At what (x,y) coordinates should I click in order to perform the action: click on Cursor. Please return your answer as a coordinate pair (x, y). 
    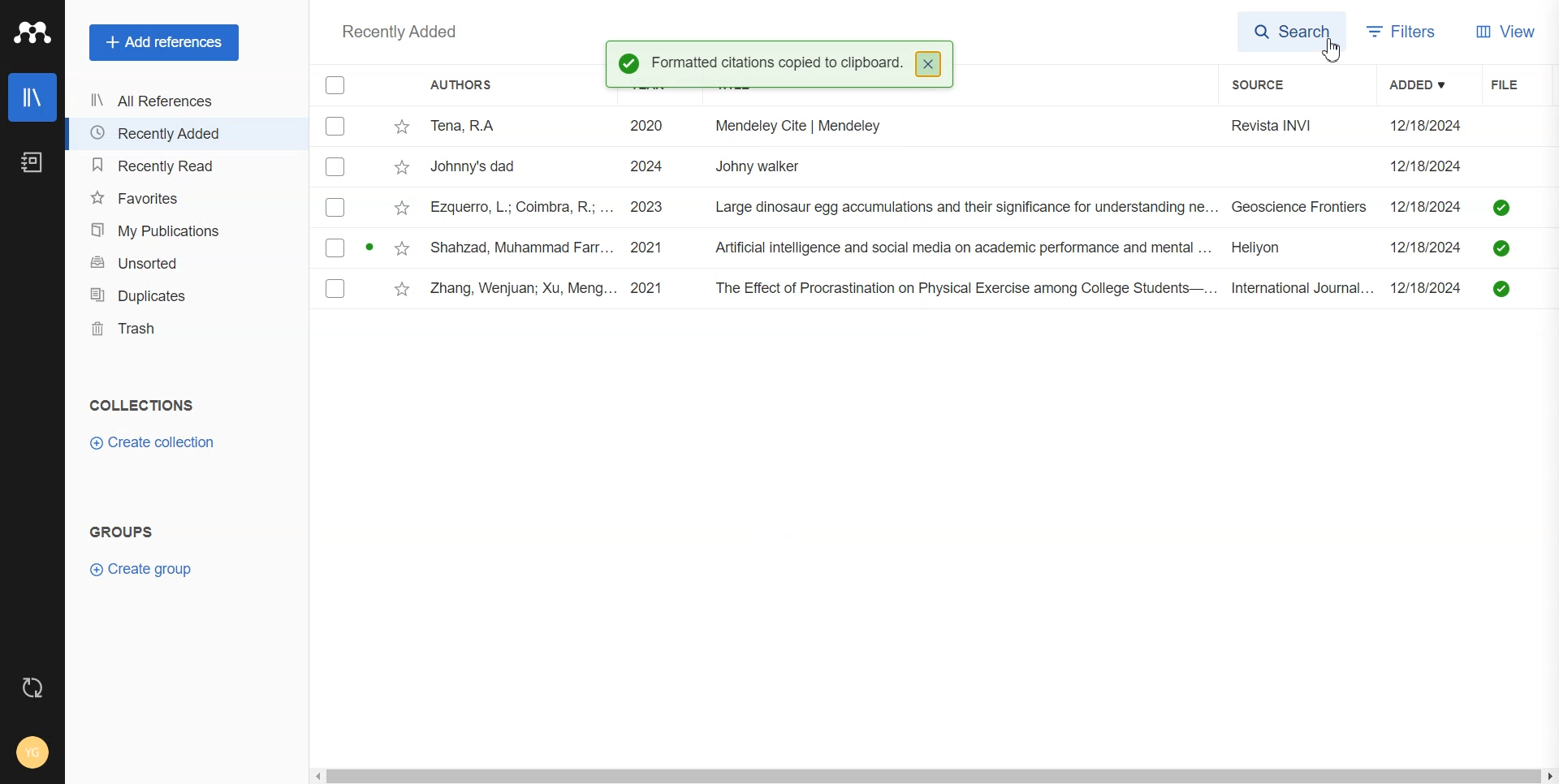
    Looking at the image, I should click on (1335, 50).